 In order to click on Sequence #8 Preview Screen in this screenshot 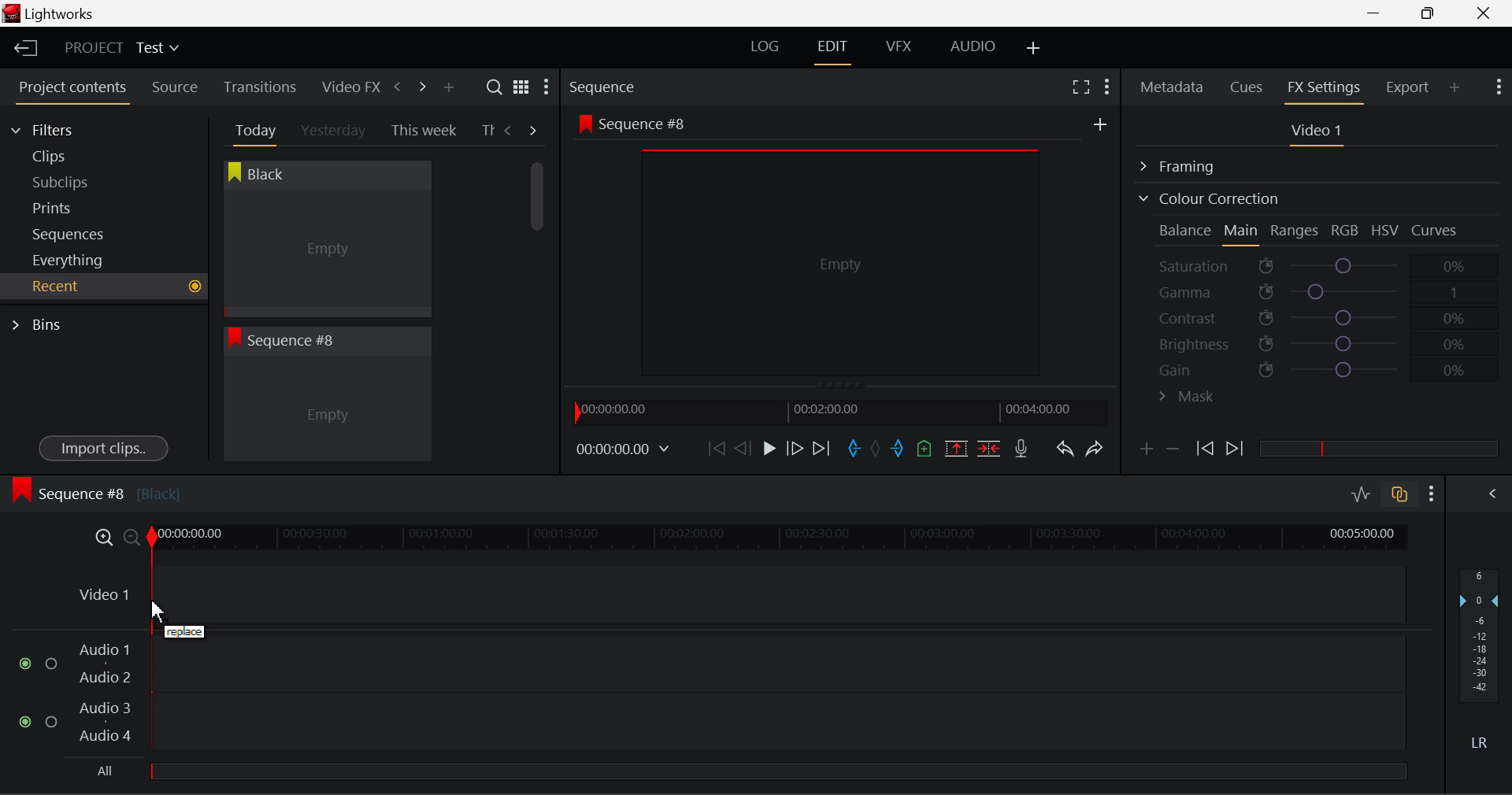, I will do `click(841, 250)`.